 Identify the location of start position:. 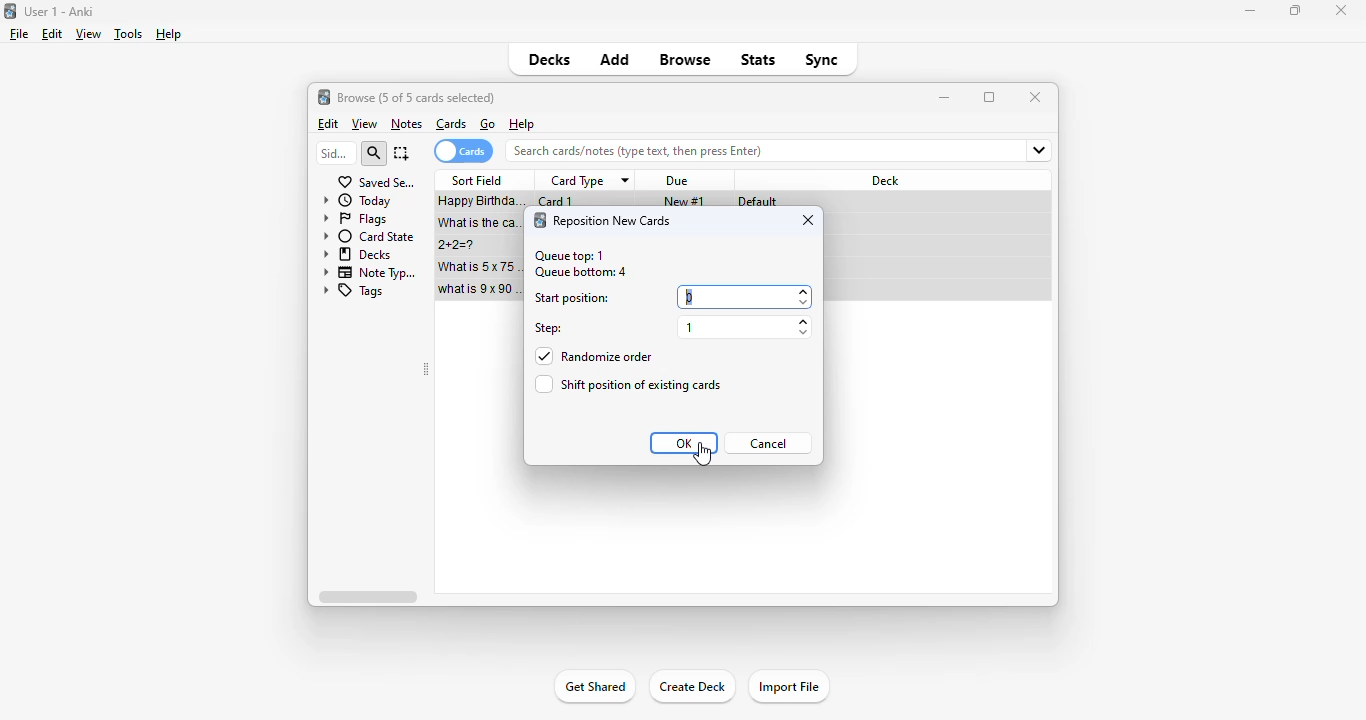
(574, 298).